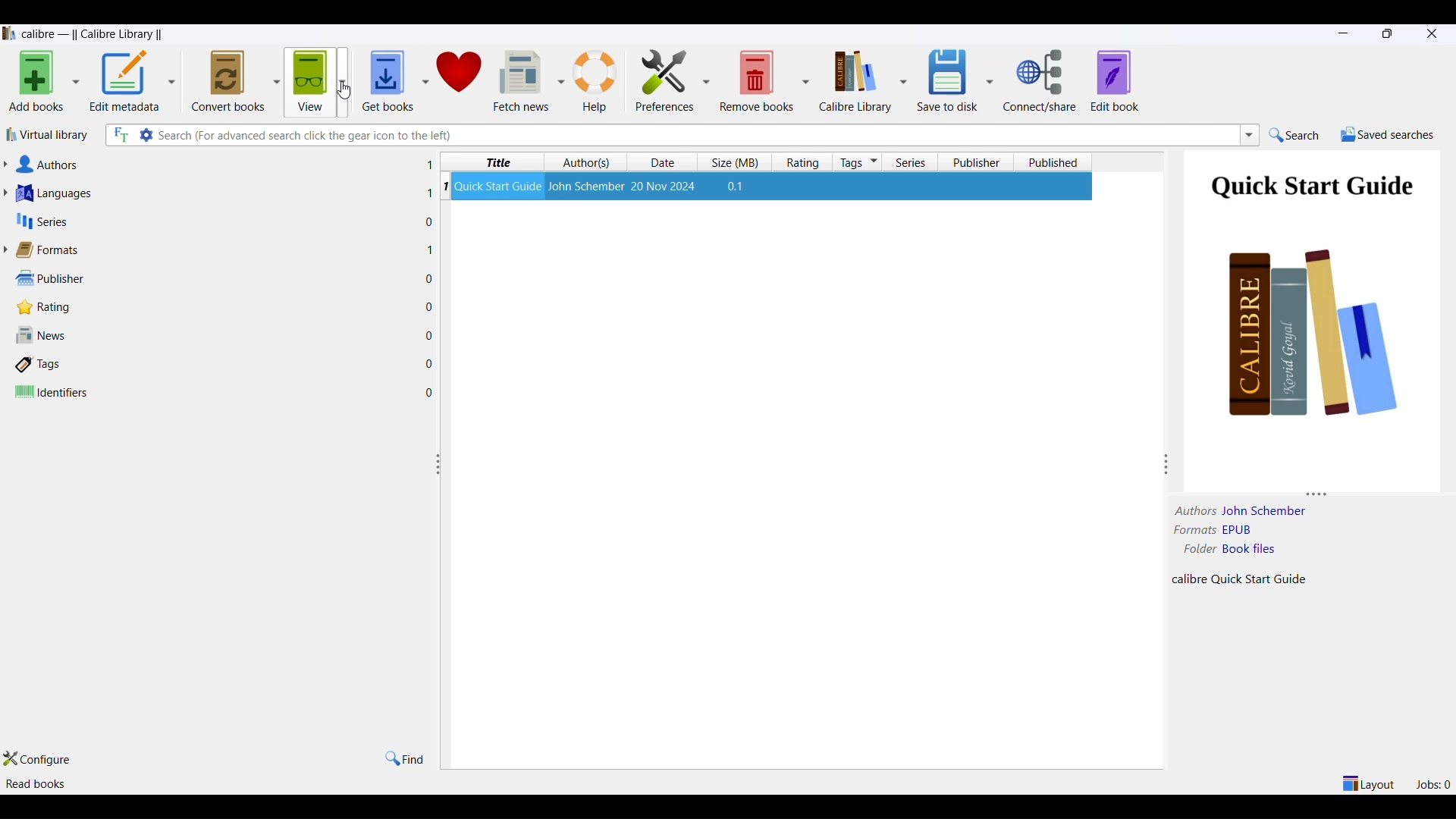 This screenshot has height=819, width=1456. Describe the element at coordinates (227, 307) in the screenshot. I see `ratings and number of ratings` at that location.